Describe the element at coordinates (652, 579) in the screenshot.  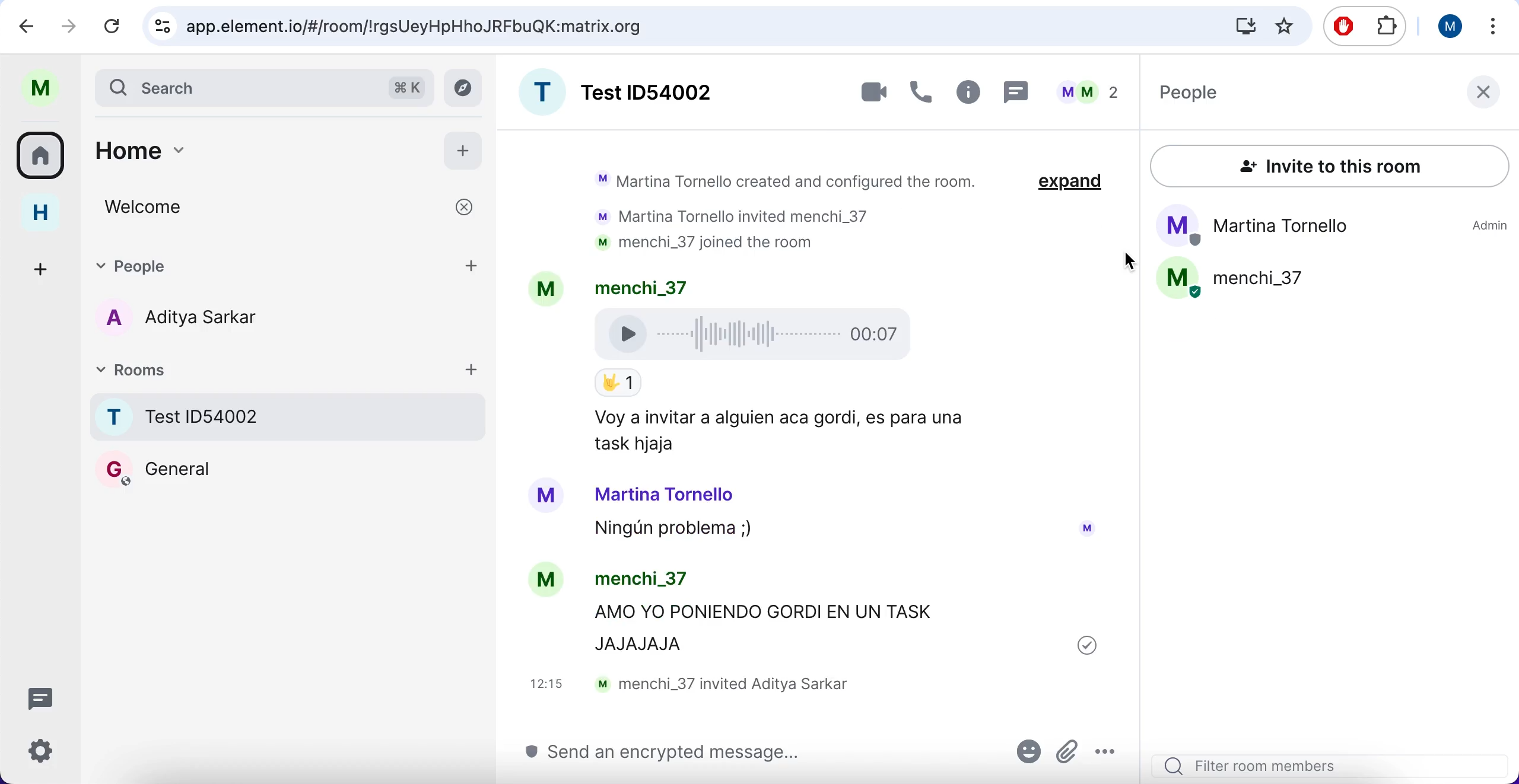
I see `menchi_37` at that location.